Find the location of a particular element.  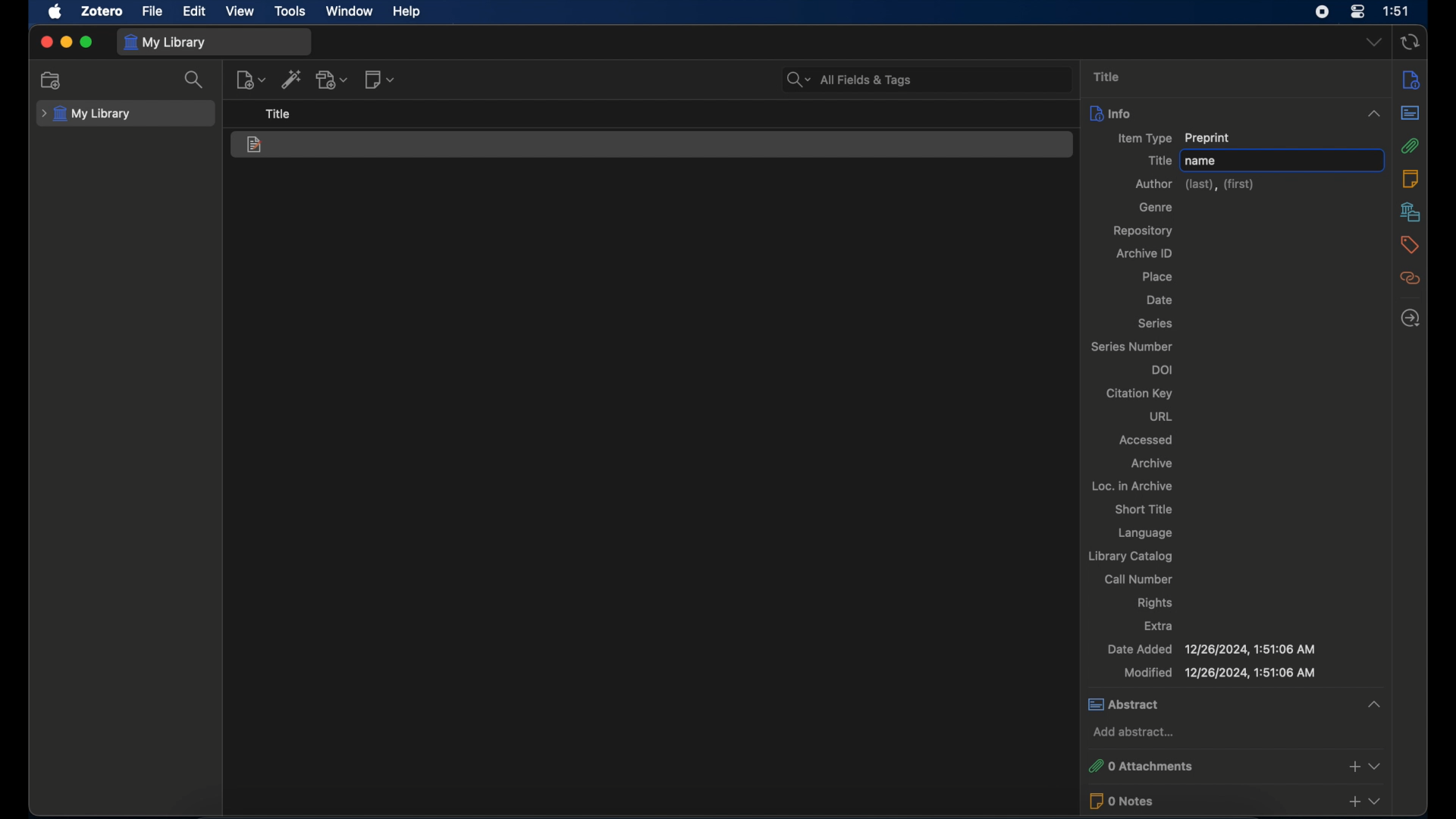

libraries is located at coordinates (1410, 212).